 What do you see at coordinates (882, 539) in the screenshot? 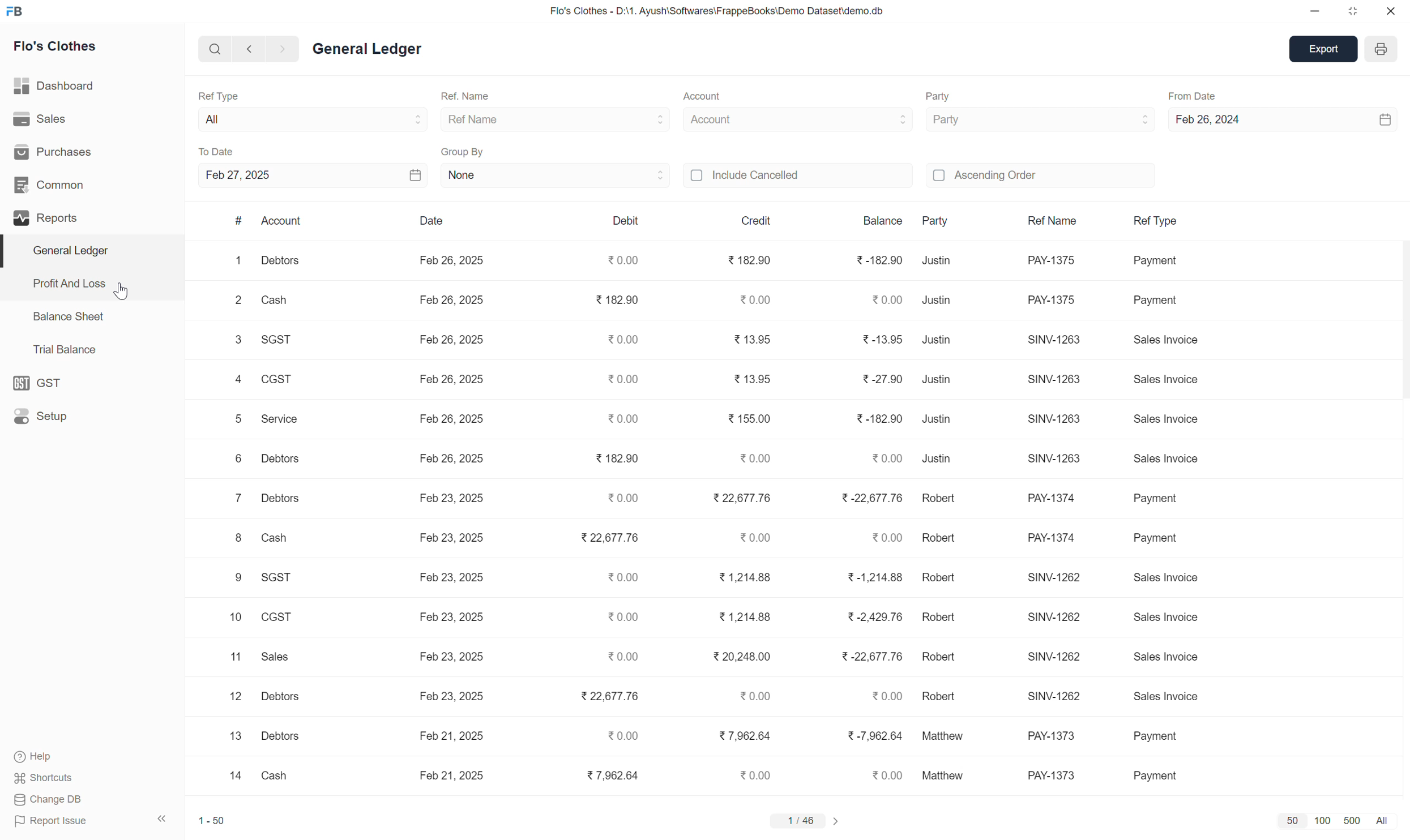
I see `₹0.00` at bounding box center [882, 539].